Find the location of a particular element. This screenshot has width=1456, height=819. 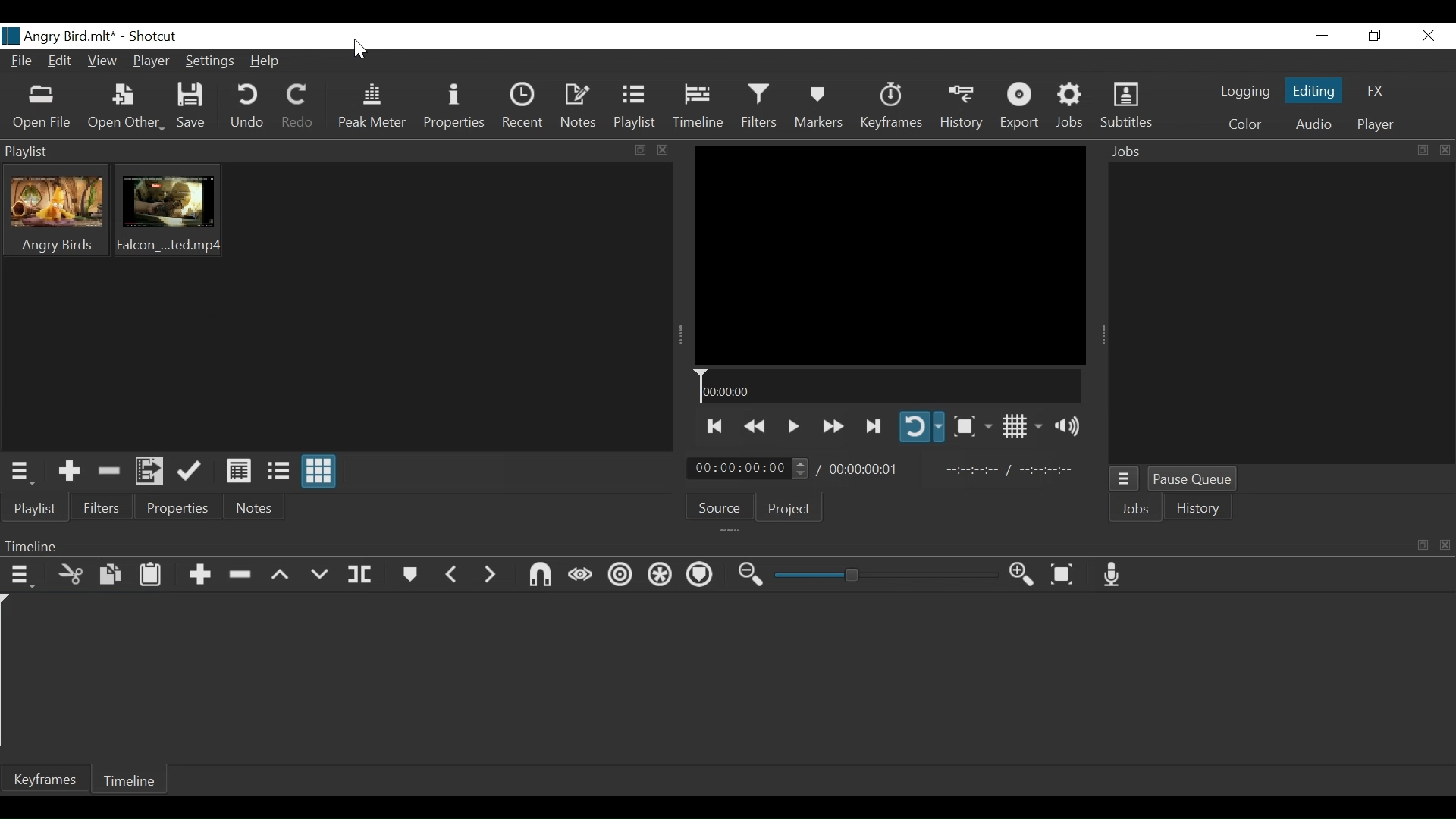

Export is located at coordinates (1020, 107).